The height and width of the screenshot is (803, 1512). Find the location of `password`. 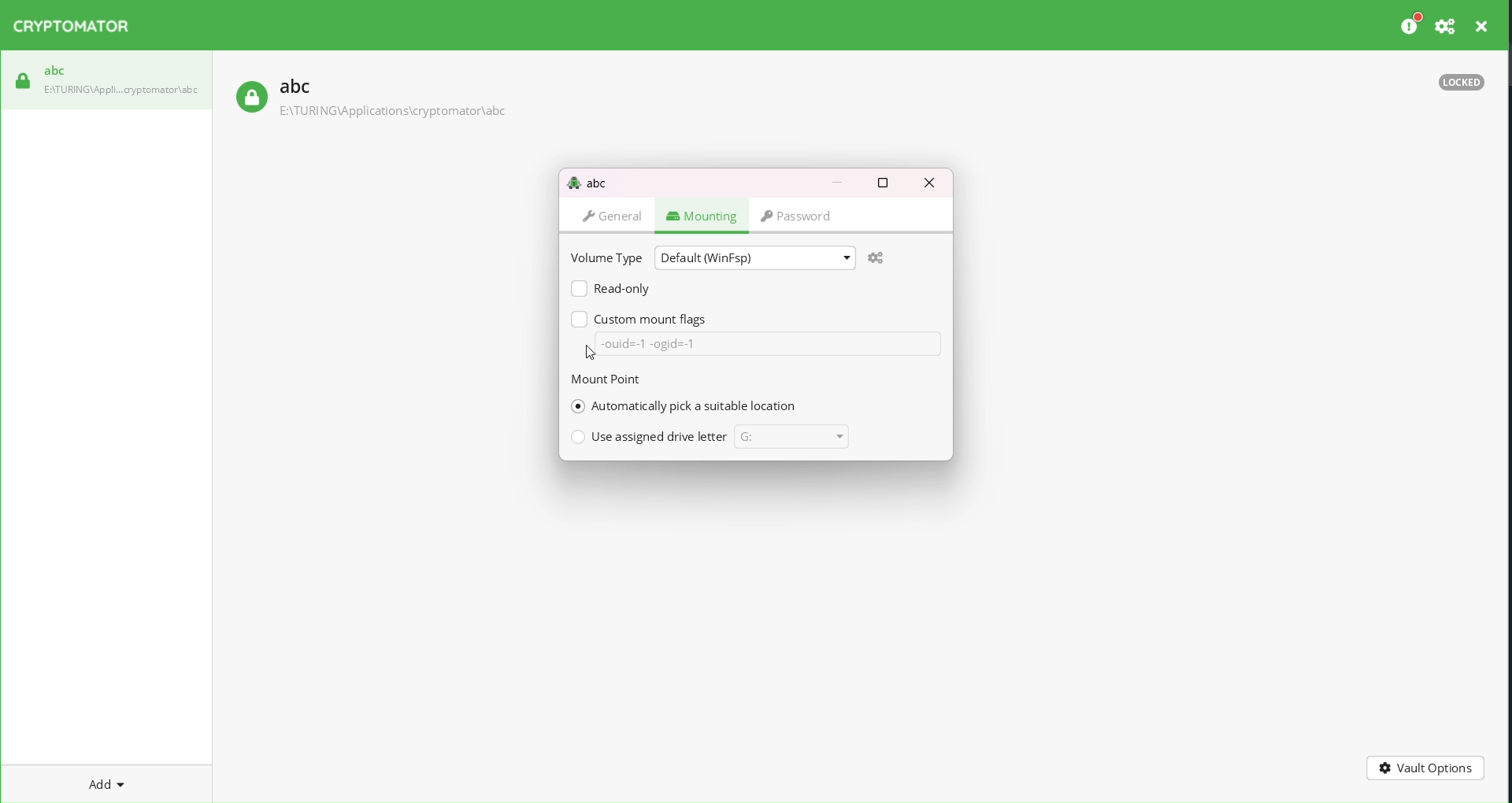

password is located at coordinates (806, 215).